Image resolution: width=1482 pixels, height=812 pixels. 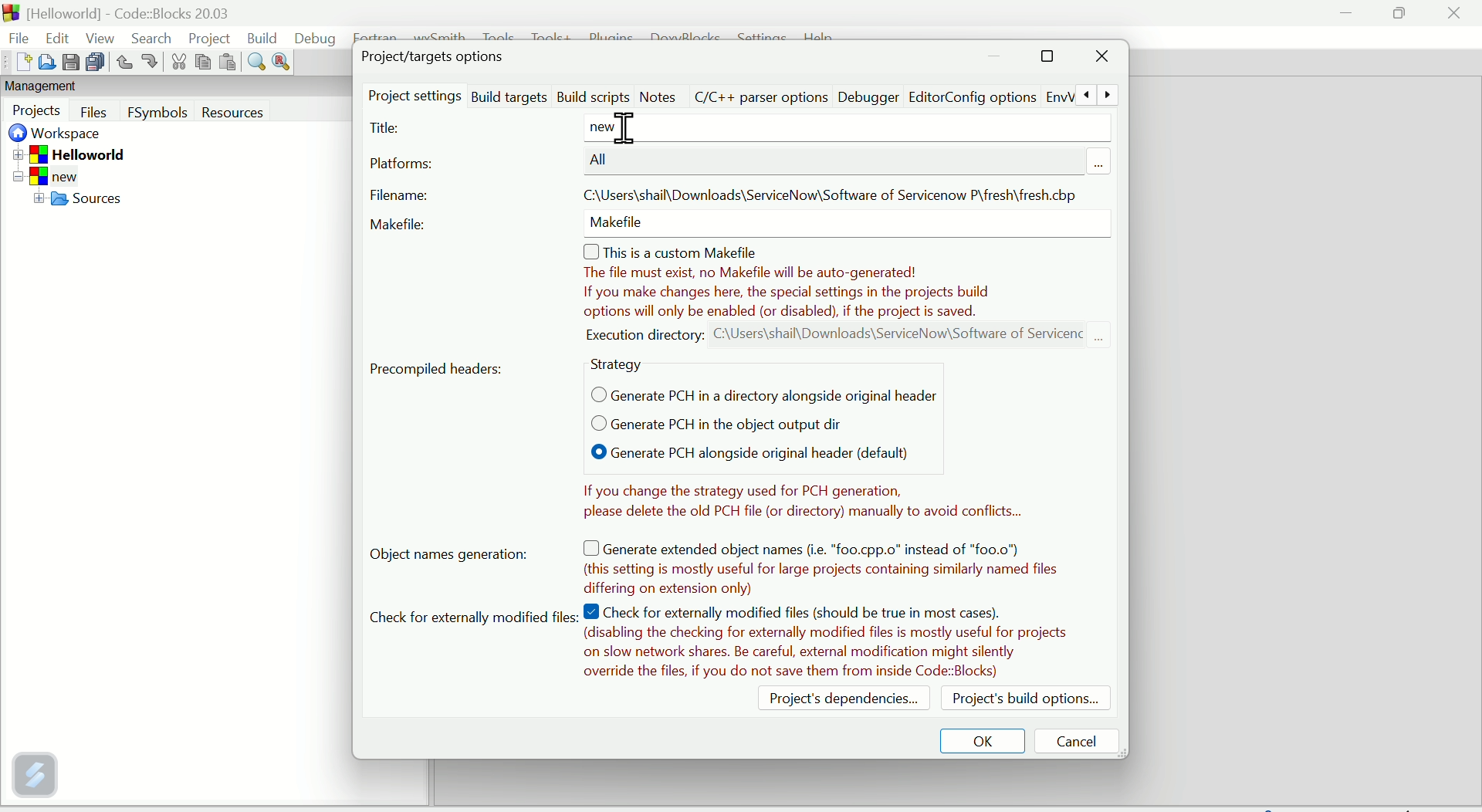 What do you see at coordinates (593, 94) in the screenshot?
I see `Build scripts` at bounding box center [593, 94].